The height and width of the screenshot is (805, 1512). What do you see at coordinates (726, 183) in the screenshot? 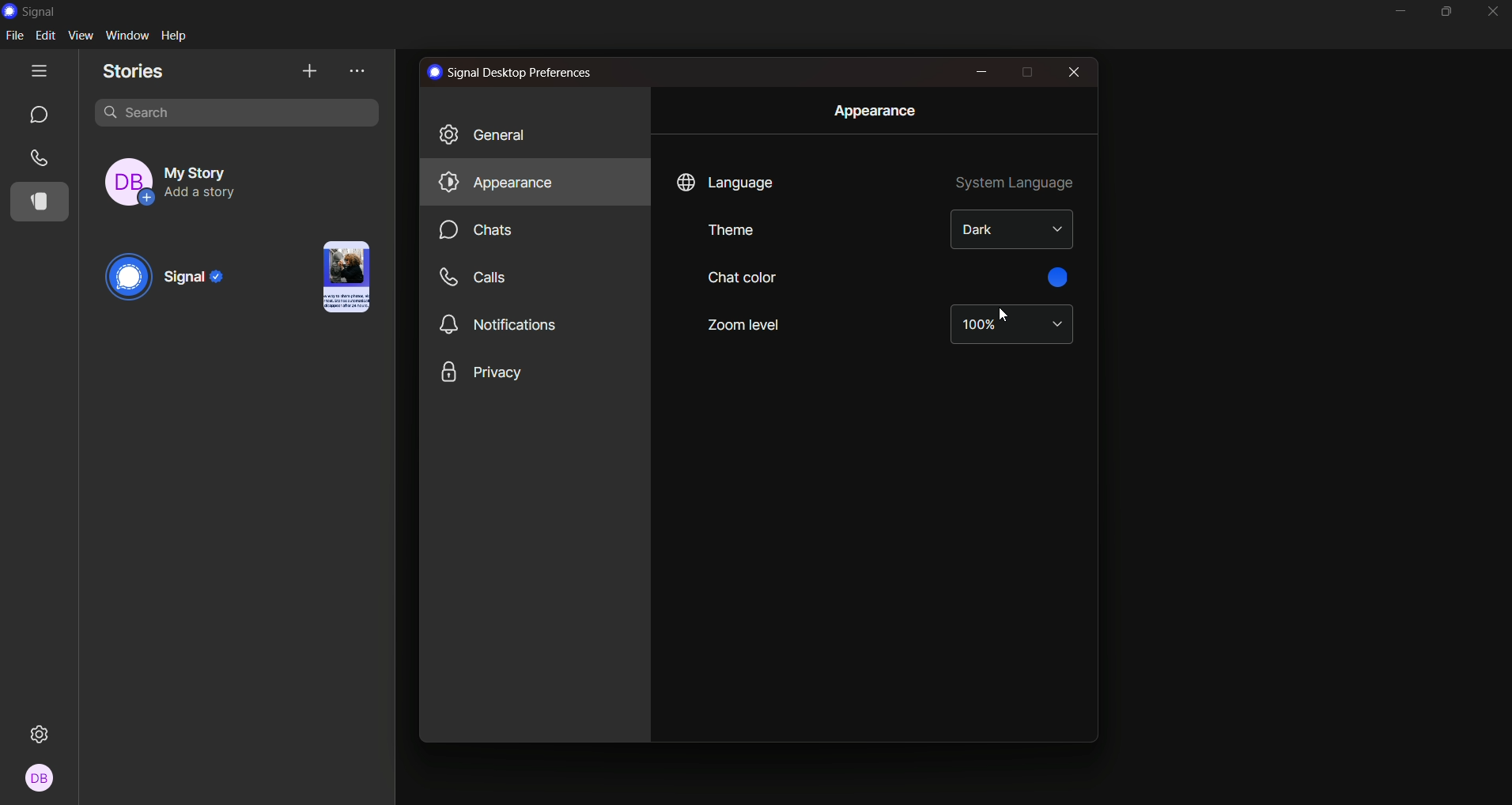
I see `language` at bounding box center [726, 183].